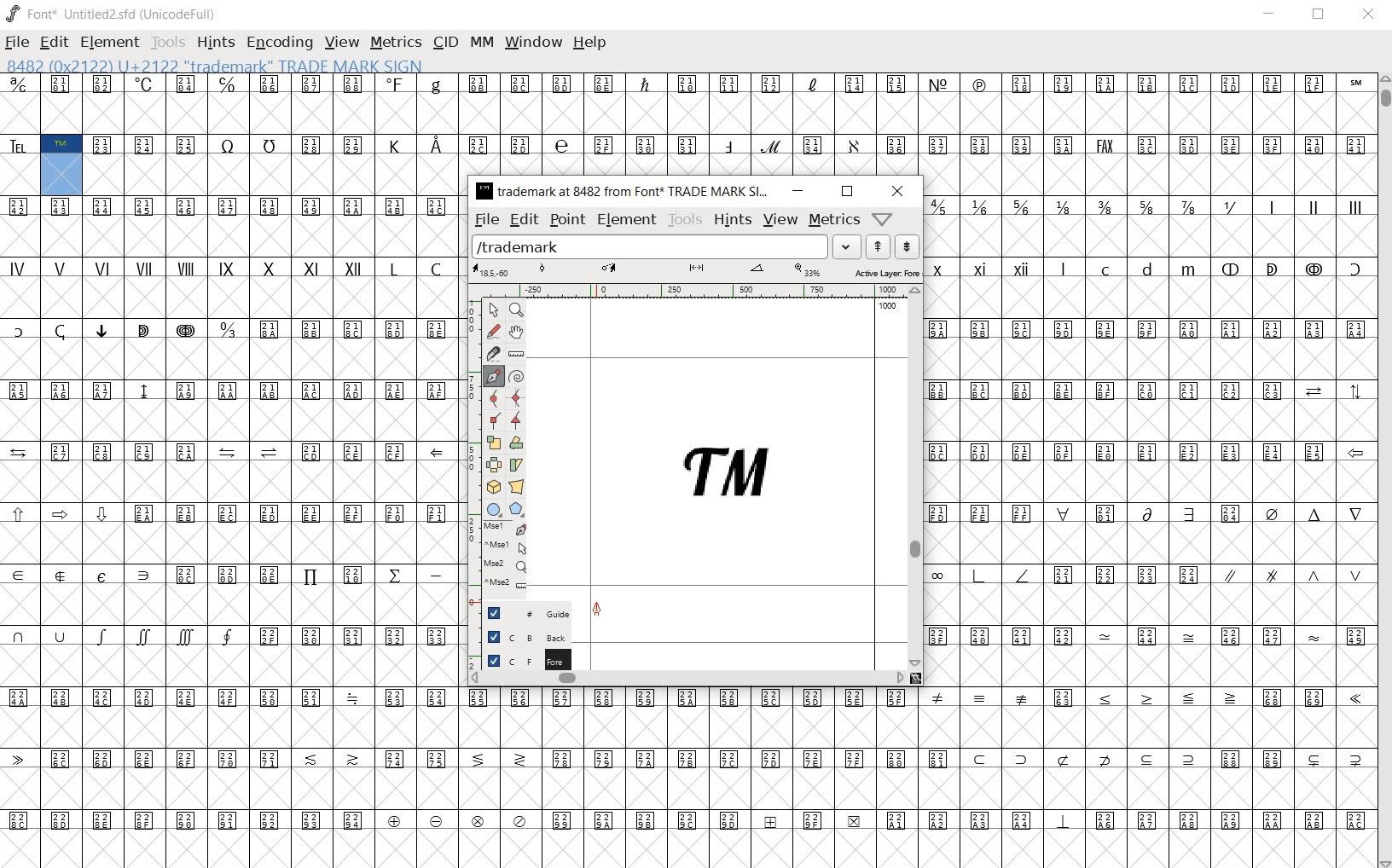 Image resolution: width=1392 pixels, height=868 pixels. Describe the element at coordinates (494, 441) in the screenshot. I see `scale the selection` at that location.